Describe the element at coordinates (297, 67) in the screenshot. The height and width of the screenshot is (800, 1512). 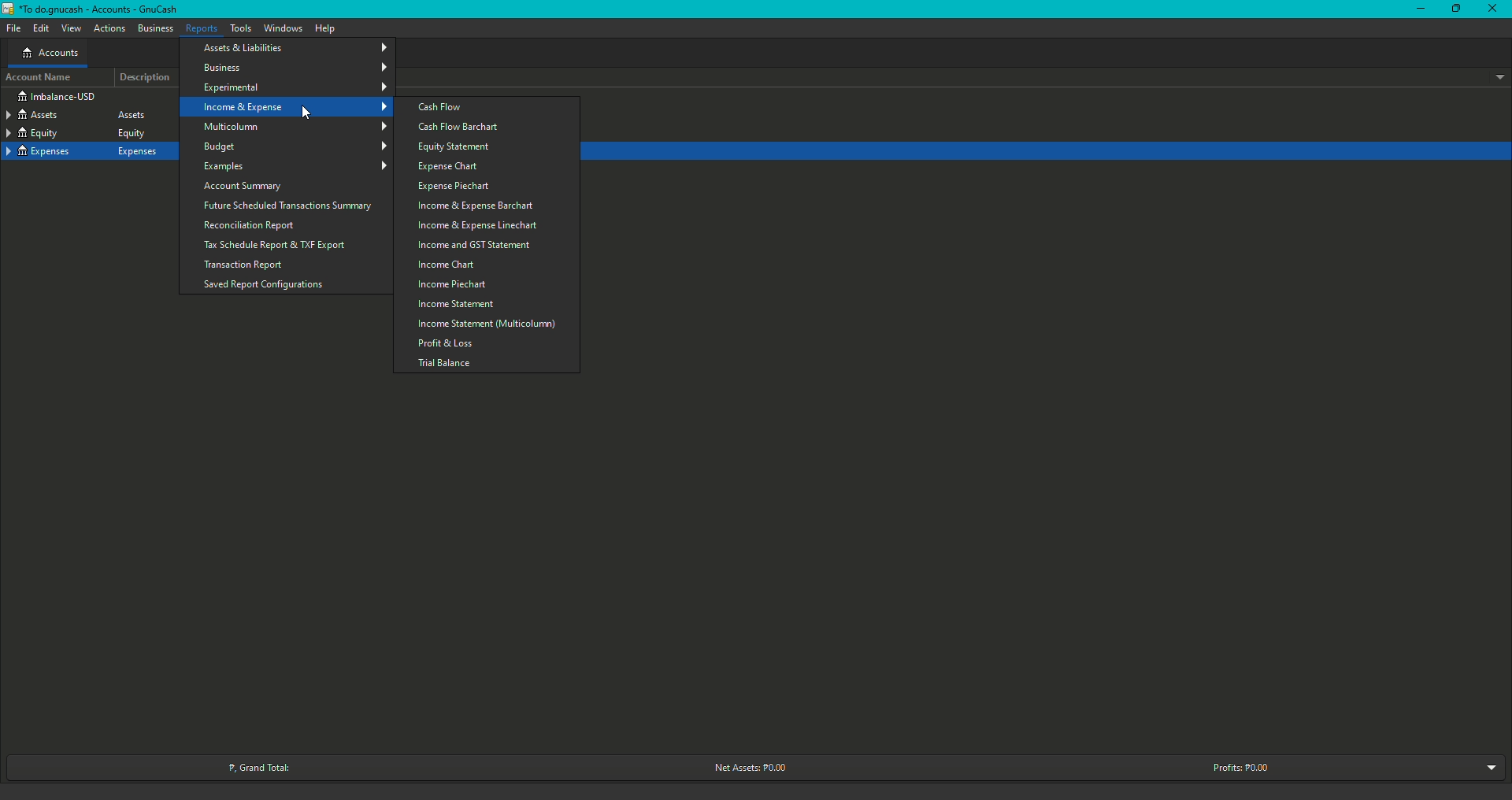
I see `Business` at that location.